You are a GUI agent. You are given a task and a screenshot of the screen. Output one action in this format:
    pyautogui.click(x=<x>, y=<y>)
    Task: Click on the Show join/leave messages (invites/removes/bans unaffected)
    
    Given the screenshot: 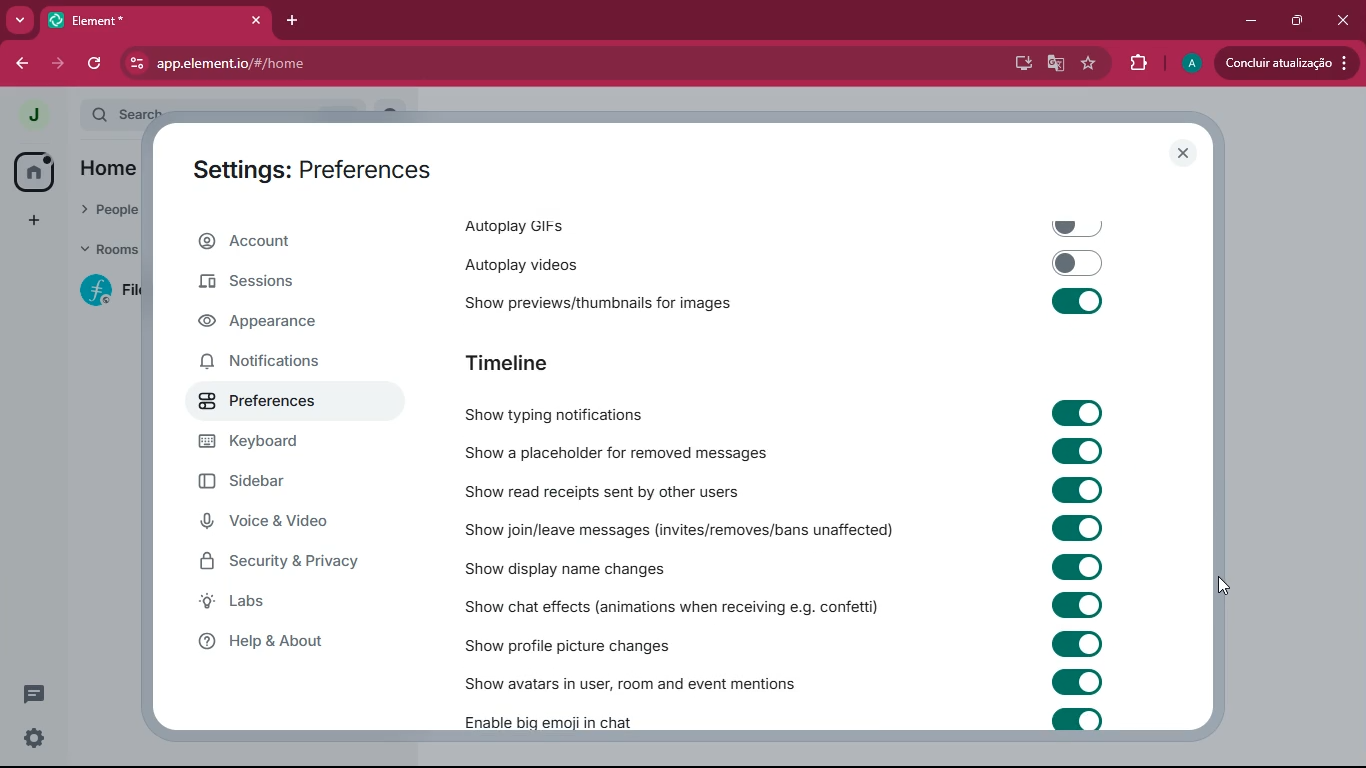 What is the action you would take?
    pyautogui.click(x=790, y=528)
    